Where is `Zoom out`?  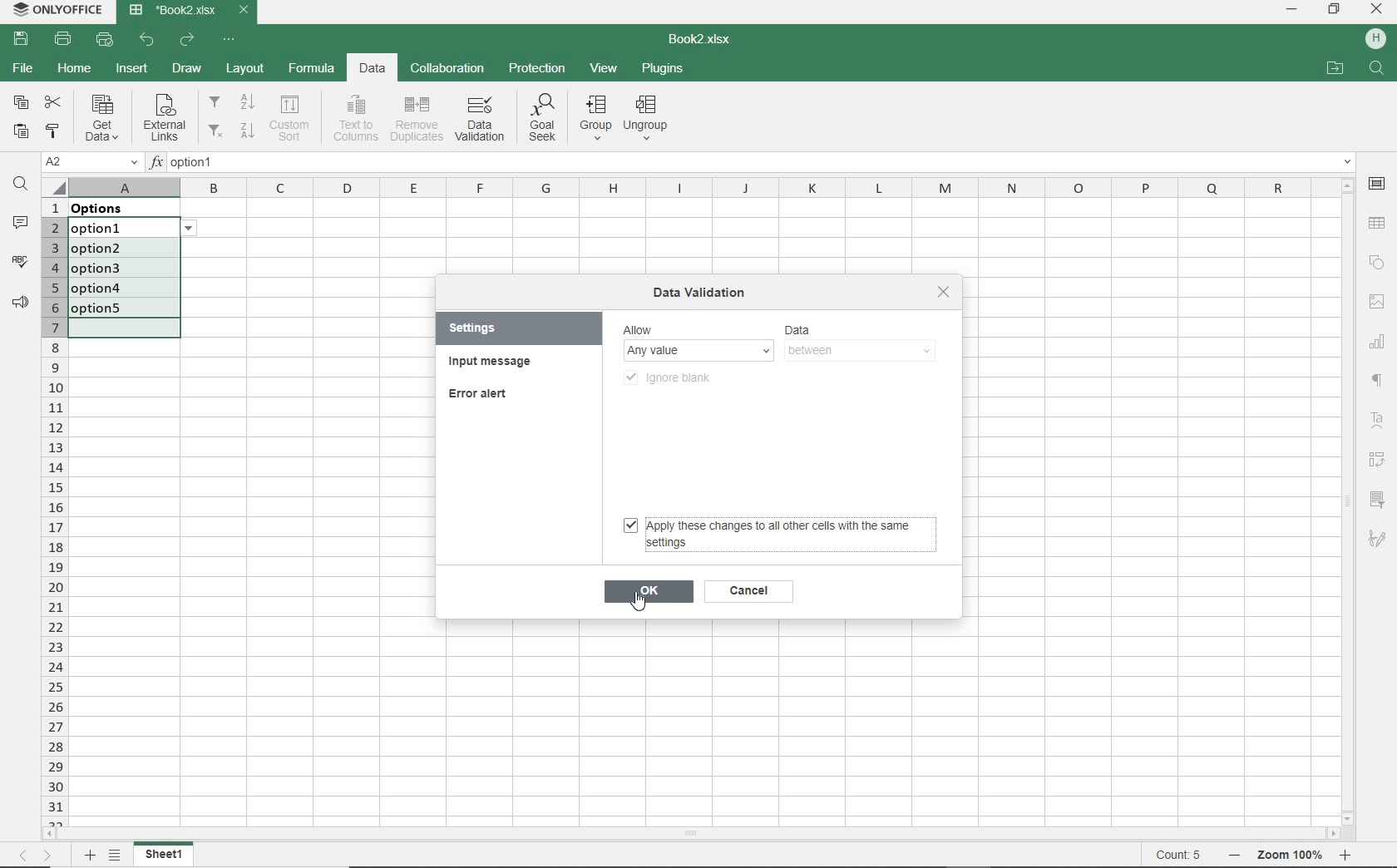
Zoom out is located at coordinates (1230, 856).